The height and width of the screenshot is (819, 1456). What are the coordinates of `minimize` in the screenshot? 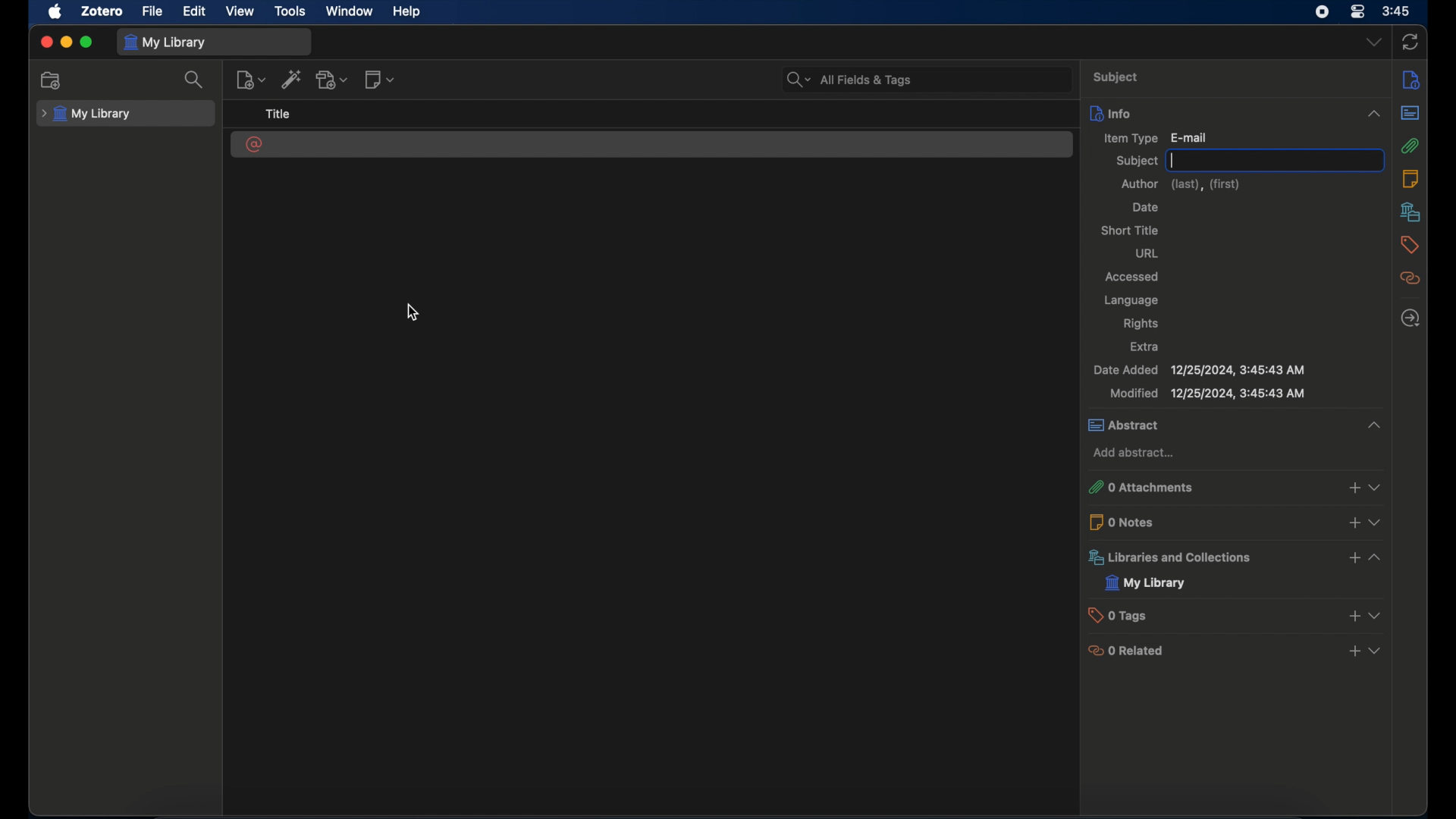 It's located at (67, 42).